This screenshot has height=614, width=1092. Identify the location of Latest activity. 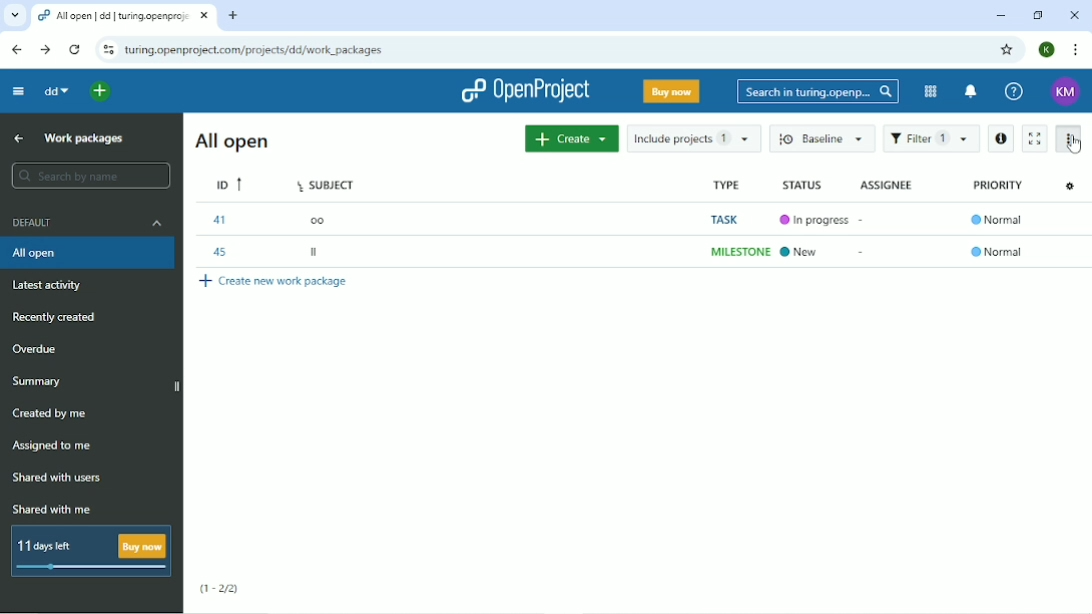
(50, 286).